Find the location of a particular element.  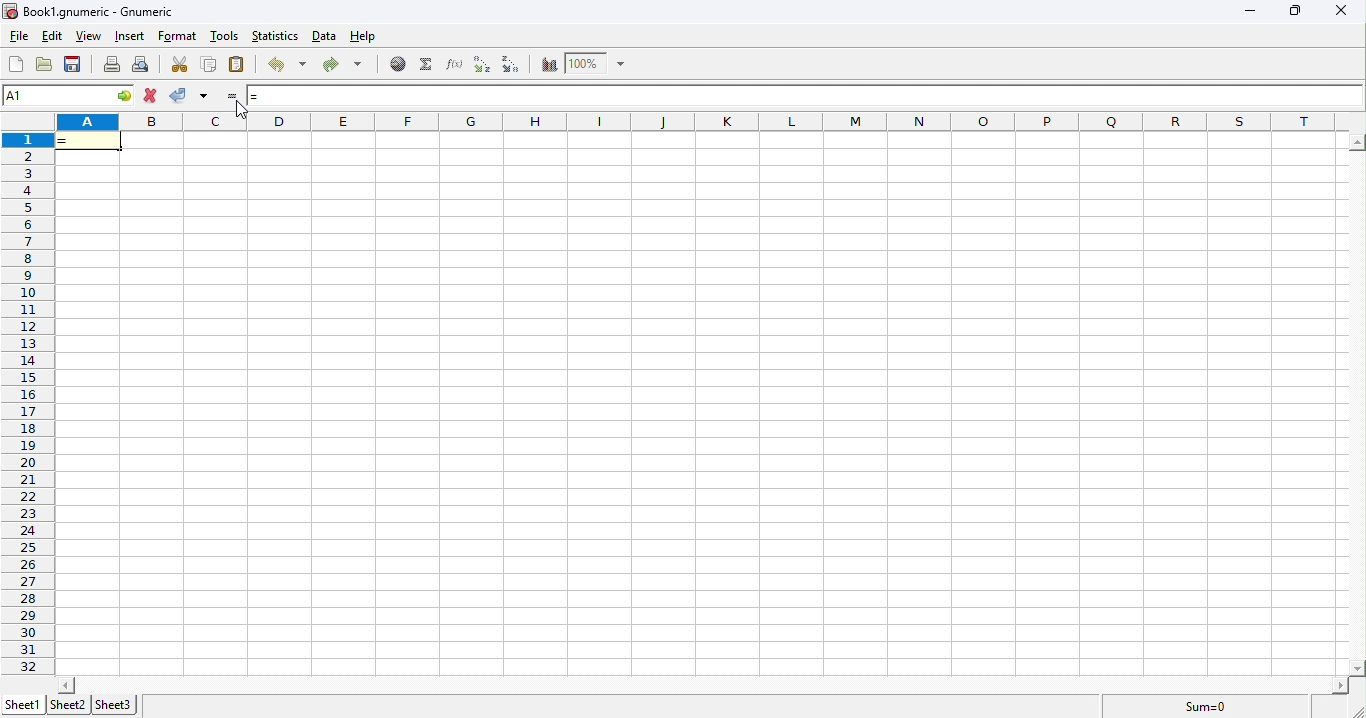

row numbers is located at coordinates (29, 403).